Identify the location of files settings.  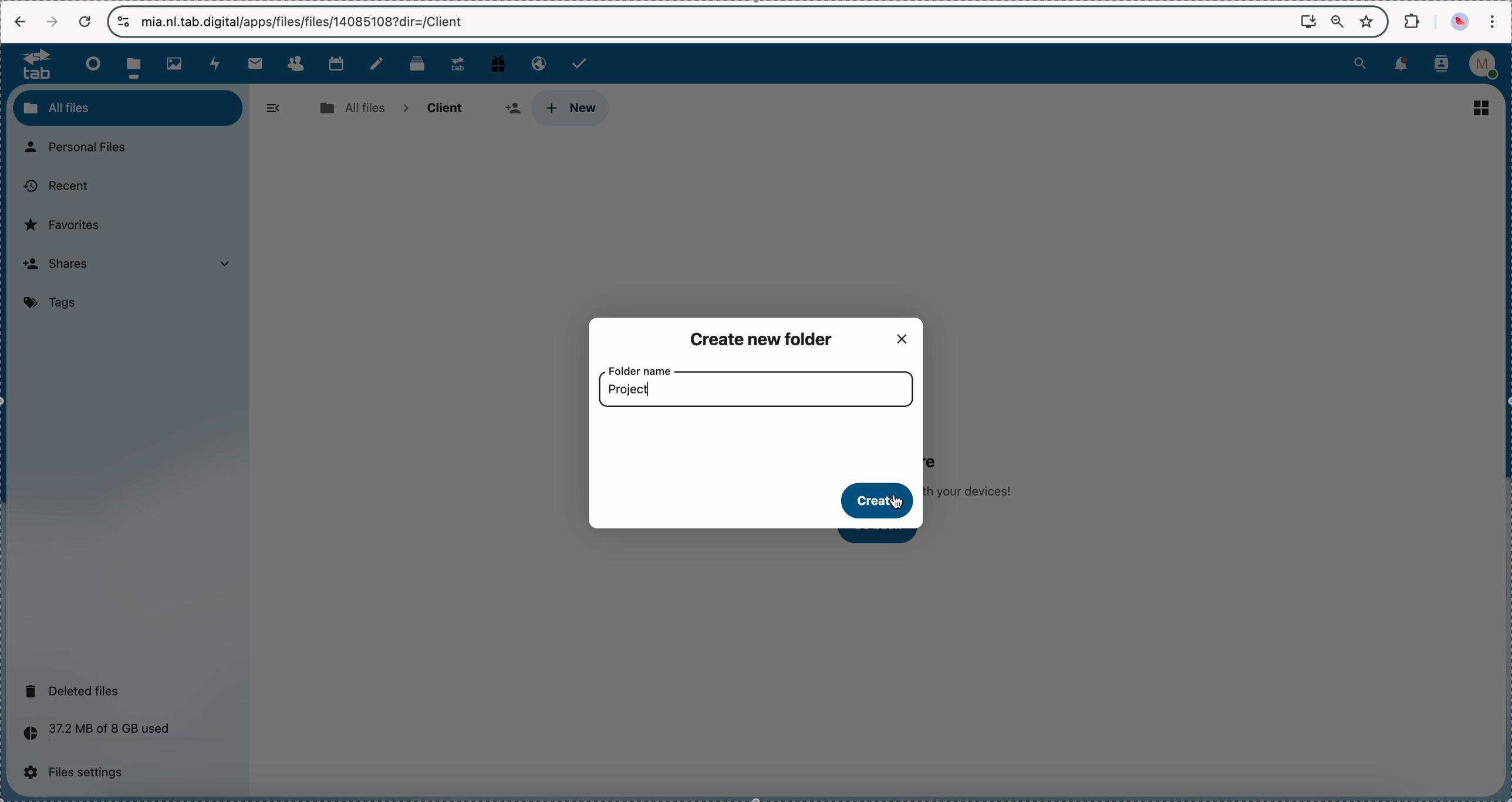
(79, 773).